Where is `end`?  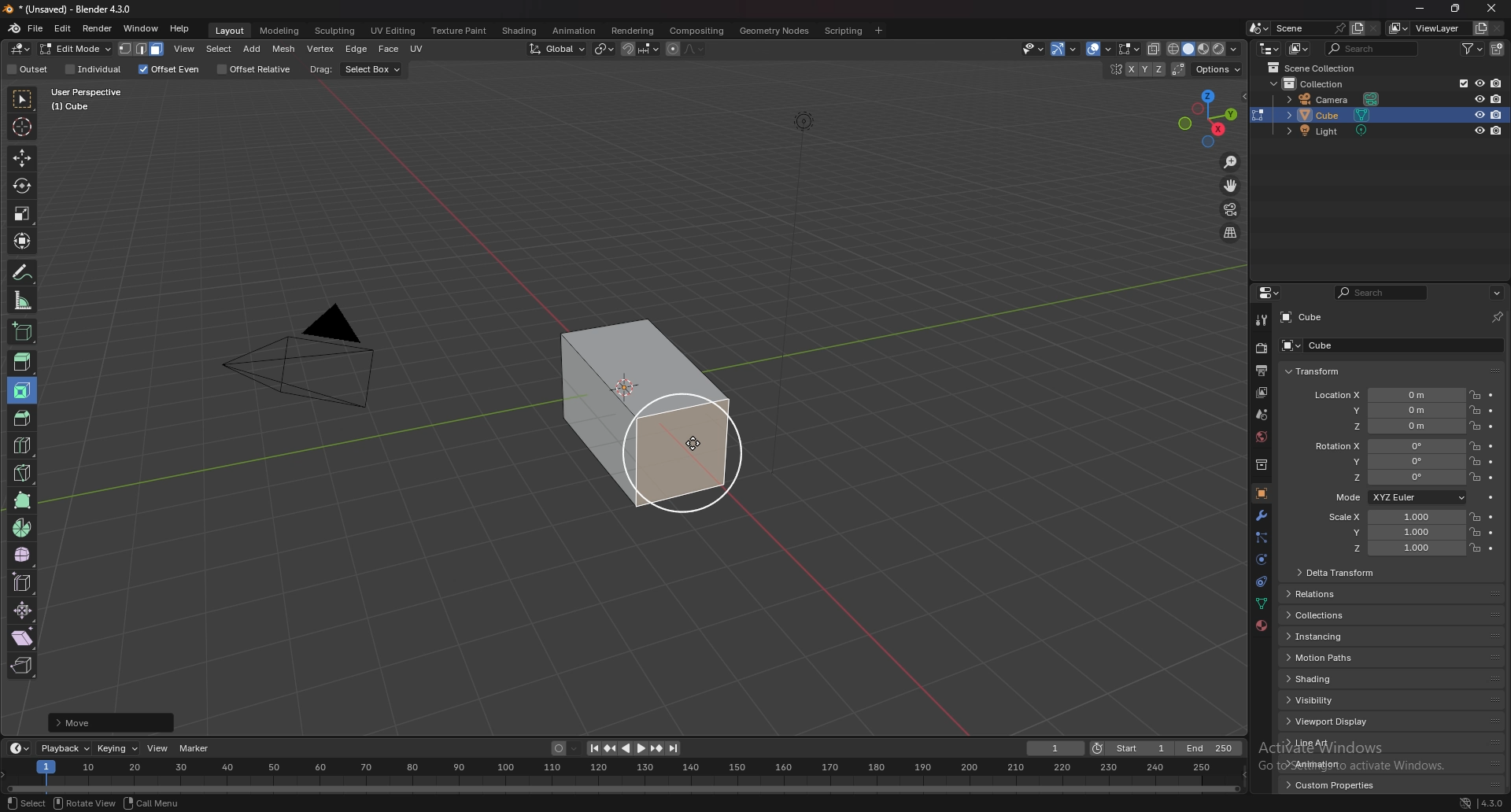
end is located at coordinates (1211, 748).